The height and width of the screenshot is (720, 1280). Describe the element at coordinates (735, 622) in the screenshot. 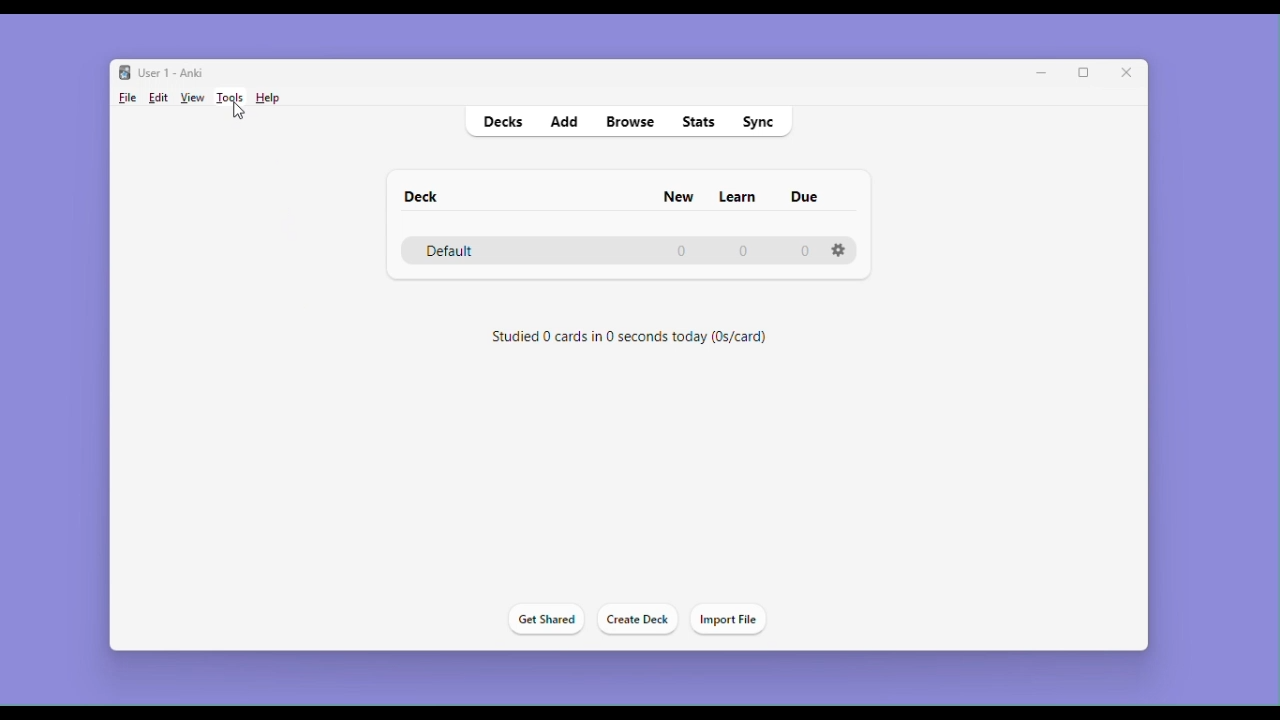

I see `Import file` at that location.